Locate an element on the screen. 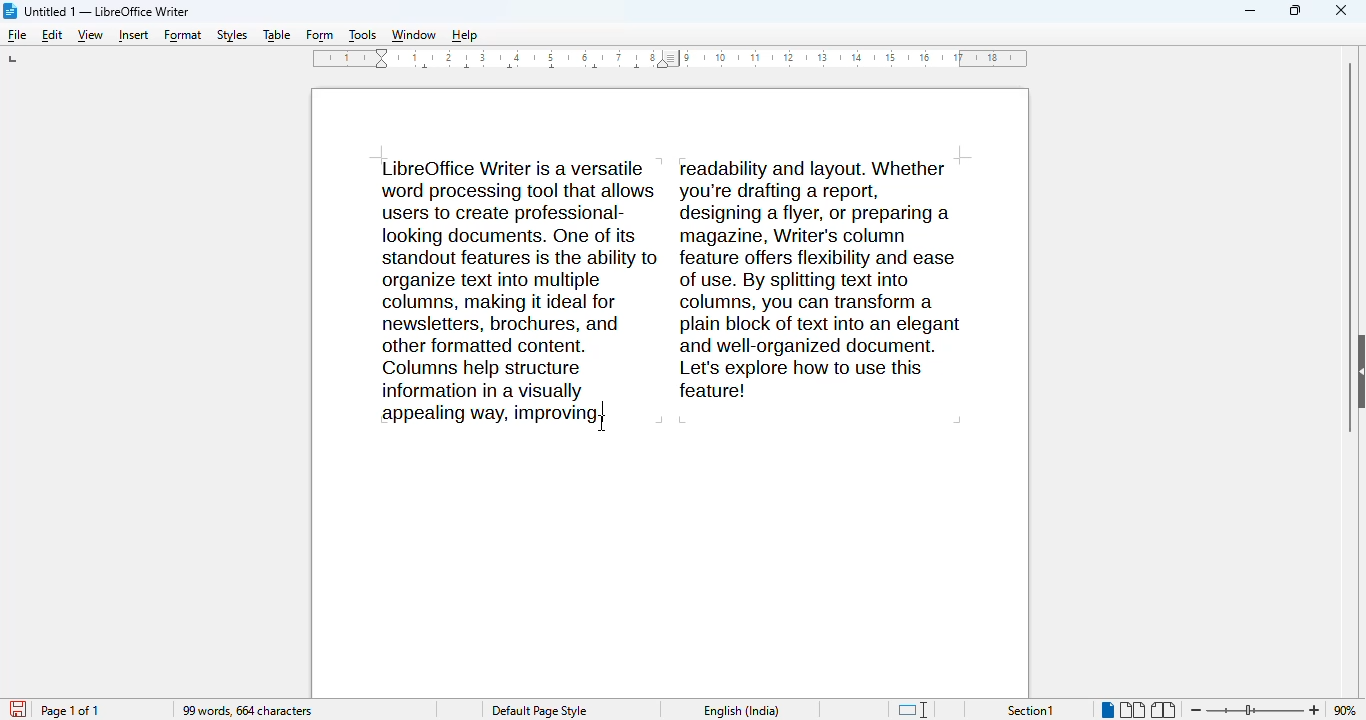  maximize is located at coordinates (1295, 10).